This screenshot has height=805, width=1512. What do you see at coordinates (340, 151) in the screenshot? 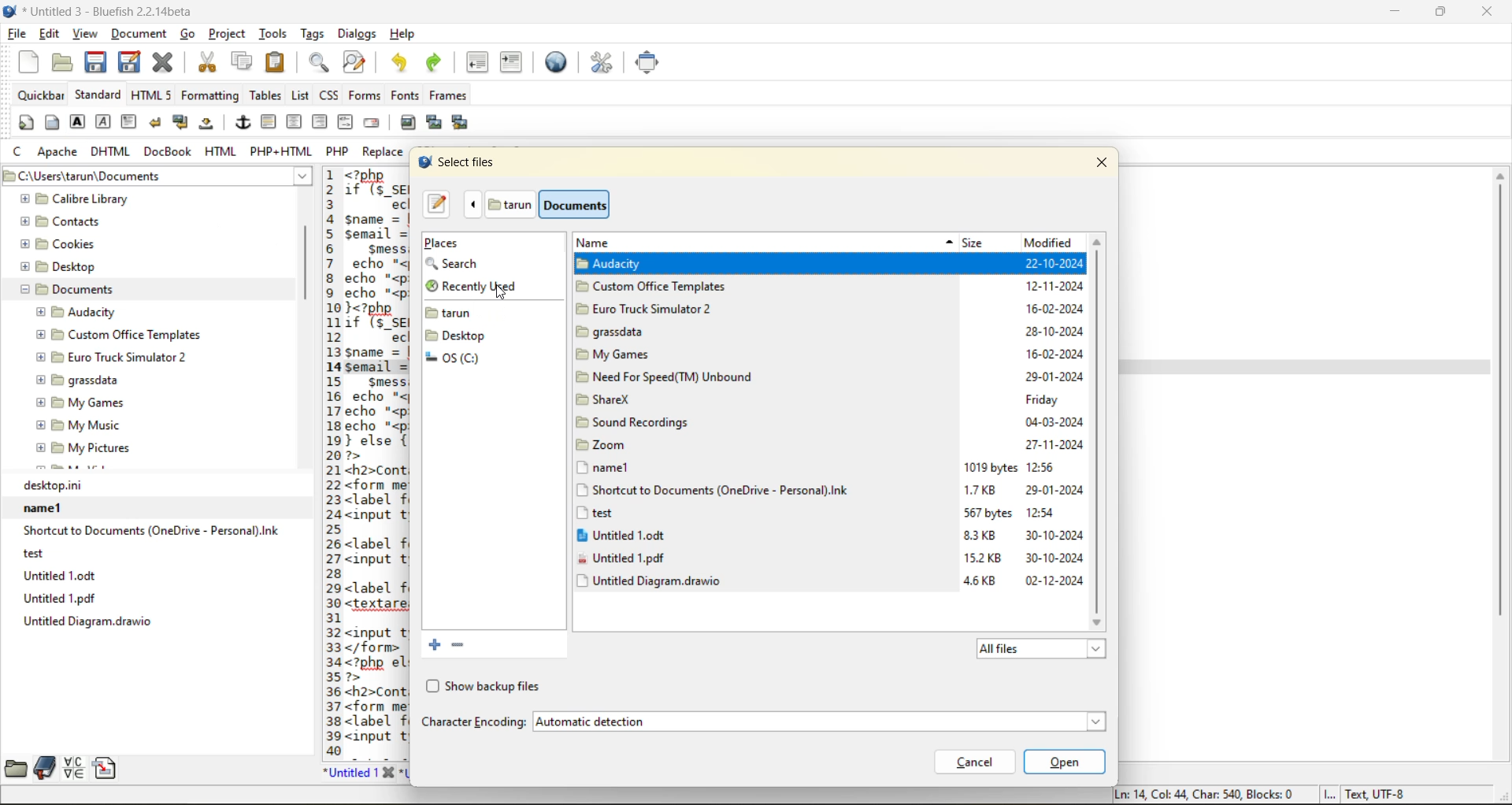
I see `php` at bounding box center [340, 151].